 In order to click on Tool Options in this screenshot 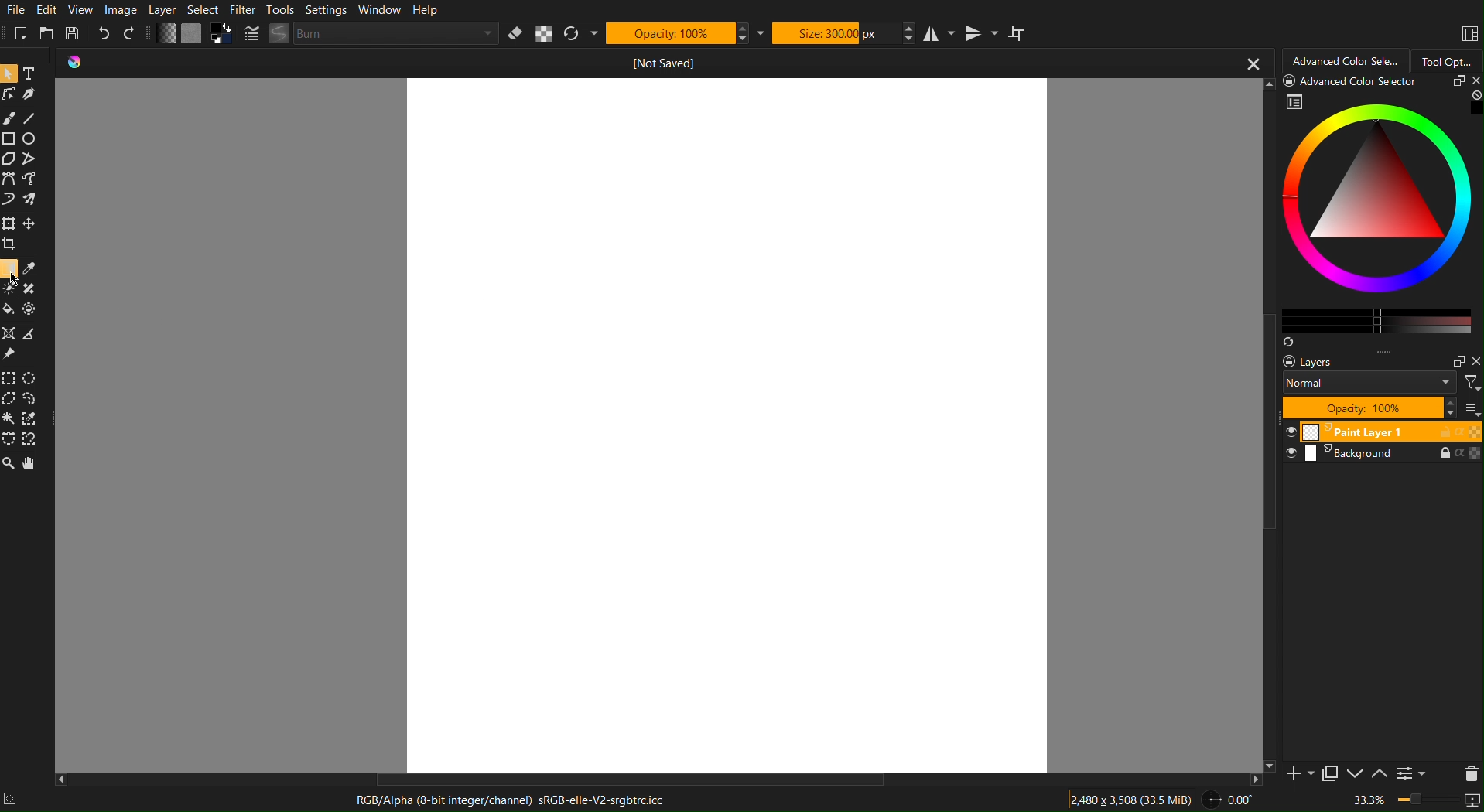, I will do `click(1448, 59)`.